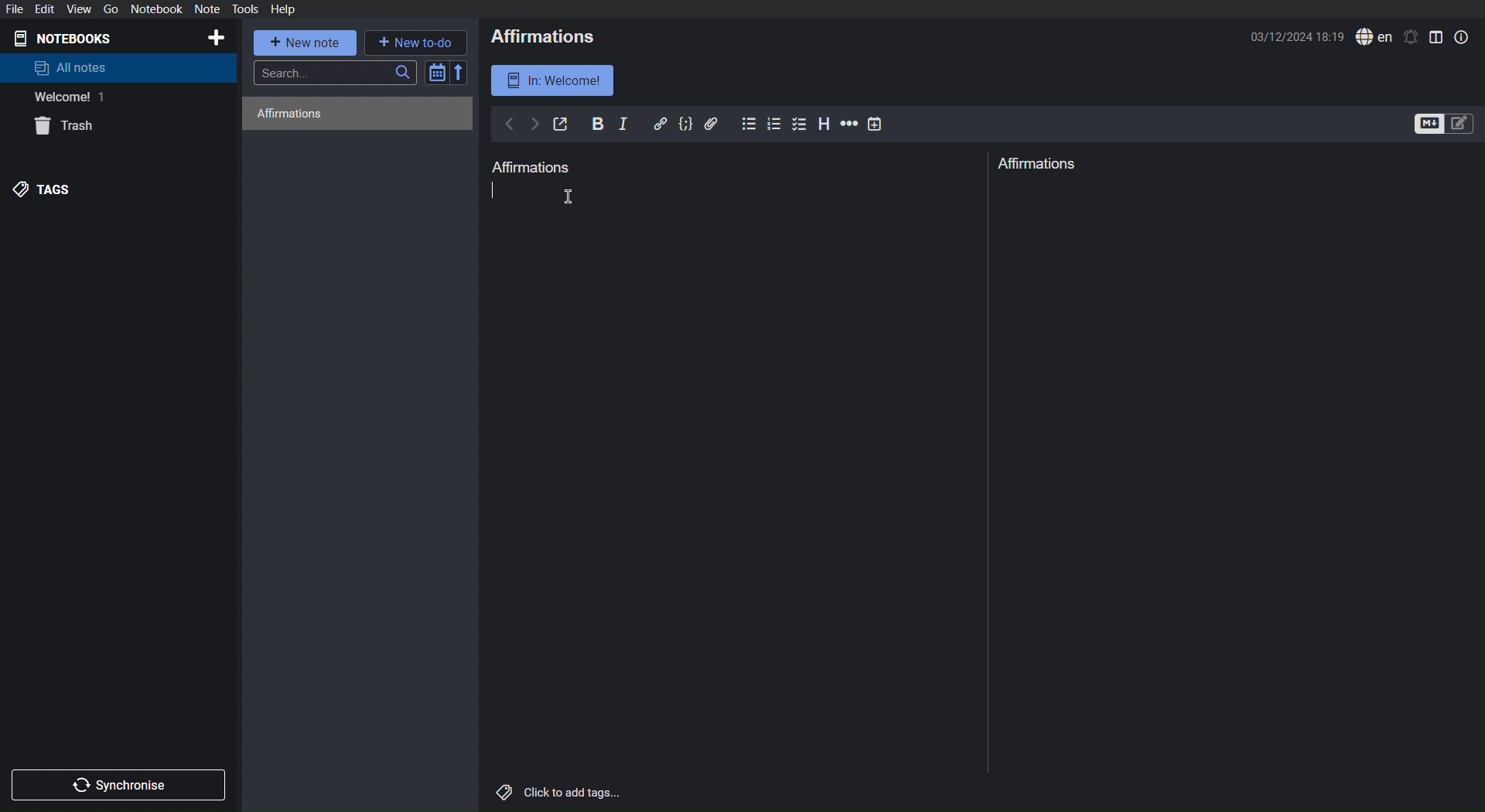  Describe the element at coordinates (65, 97) in the screenshot. I see `Welcome!` at that location.